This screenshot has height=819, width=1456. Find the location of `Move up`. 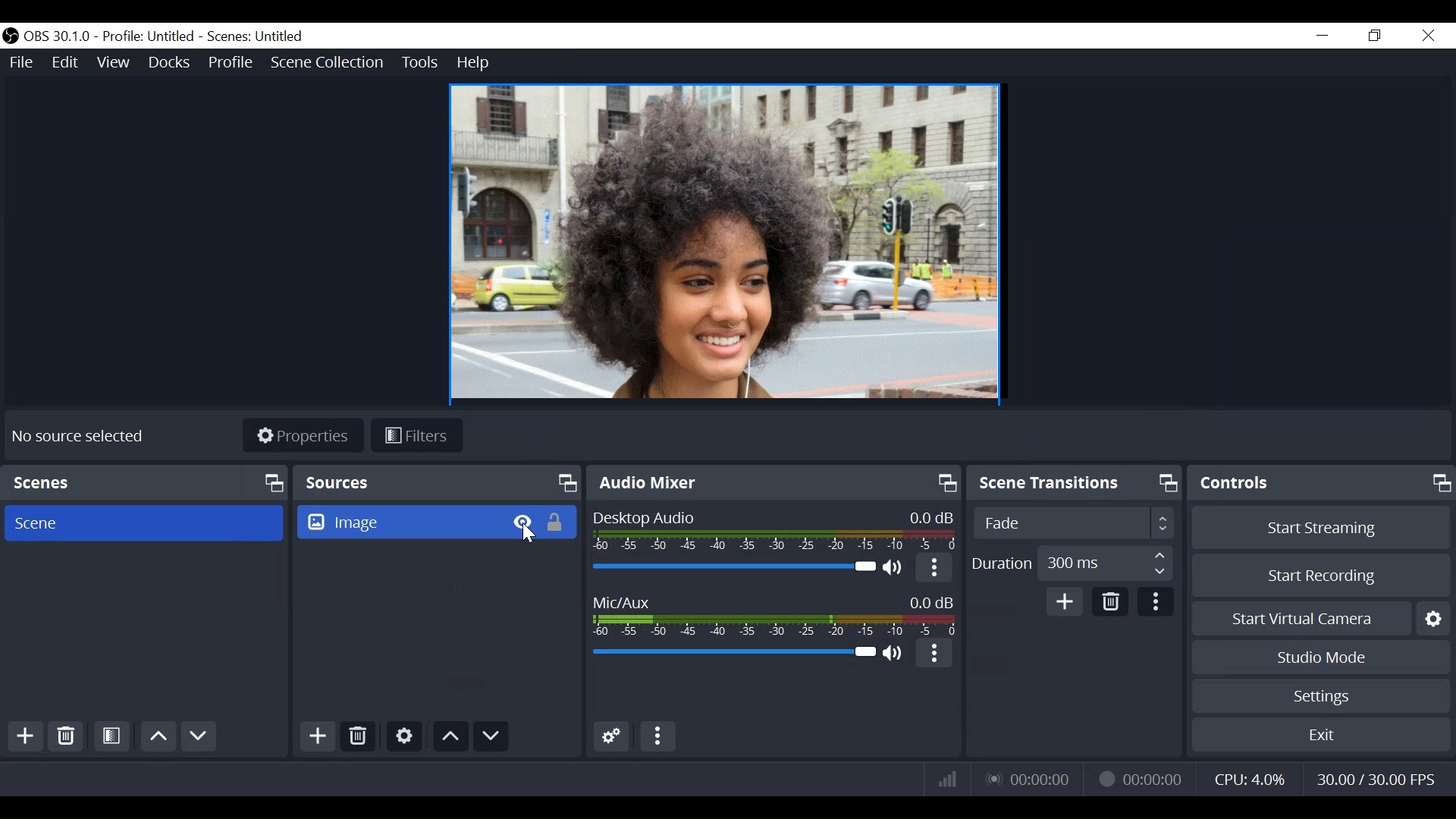

Move up is located at coordinates (451, 736).